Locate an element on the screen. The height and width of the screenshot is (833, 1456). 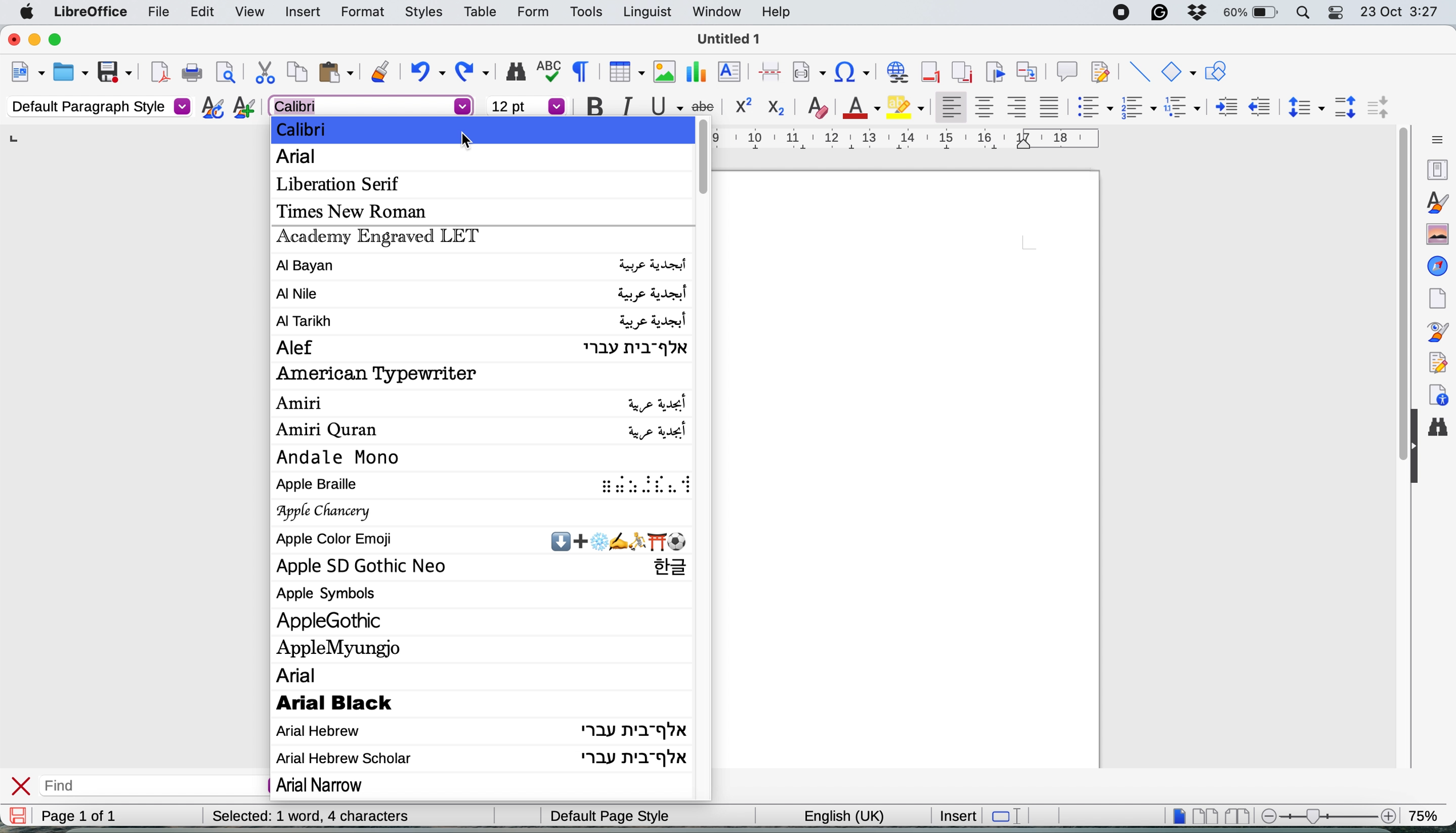
al tarikh is located at coordinates (480, 322).